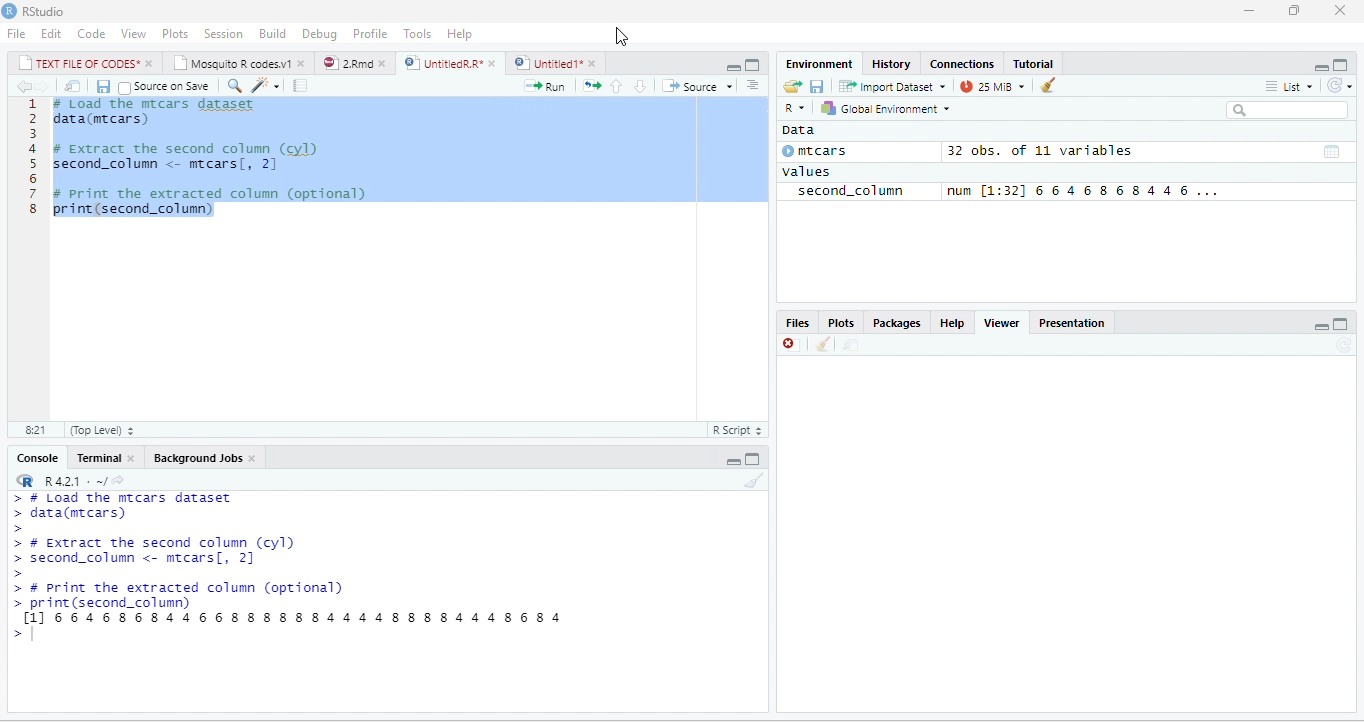 This screenshot has width=1364, height=722. Describe the element at coordinates (754, 481) in the screenshot. I see `clear` at that location.